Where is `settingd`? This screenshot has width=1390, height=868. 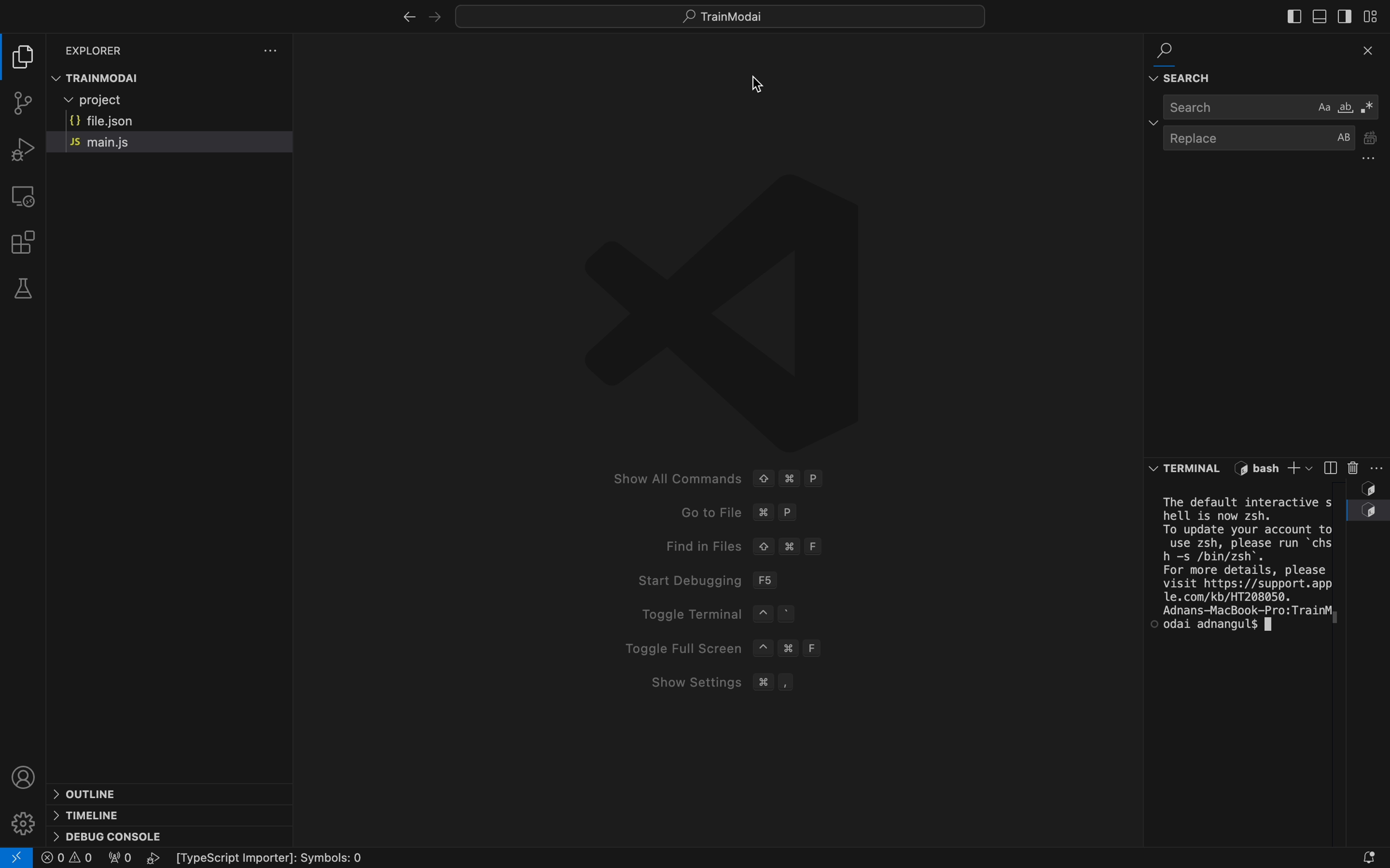 settingd is located at coordinates (271, 51).